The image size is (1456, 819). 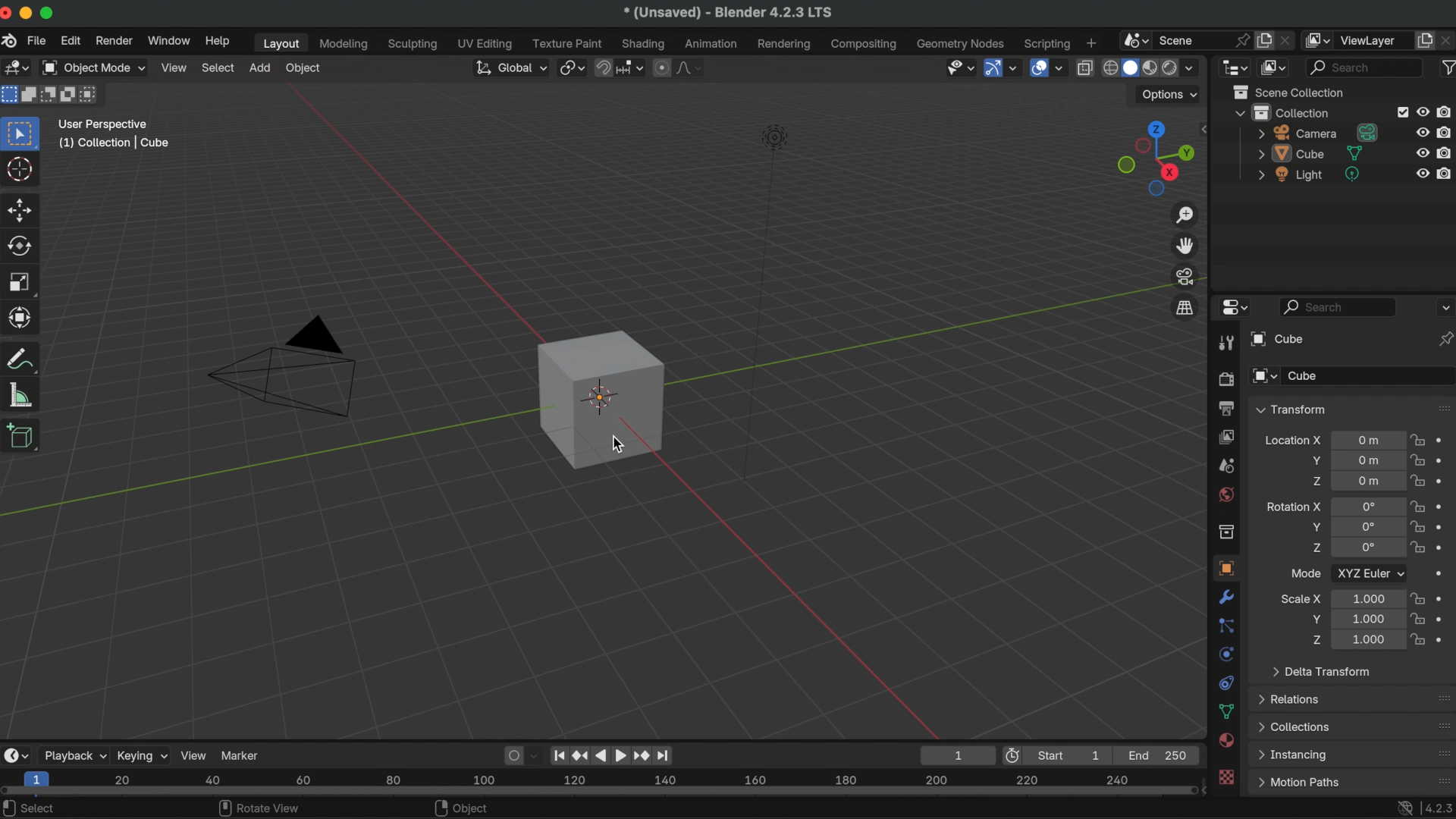 What do you see at coordinates (1313, 460) in the screenshot?
I see `location Y` at bounding box center [1313, 460].